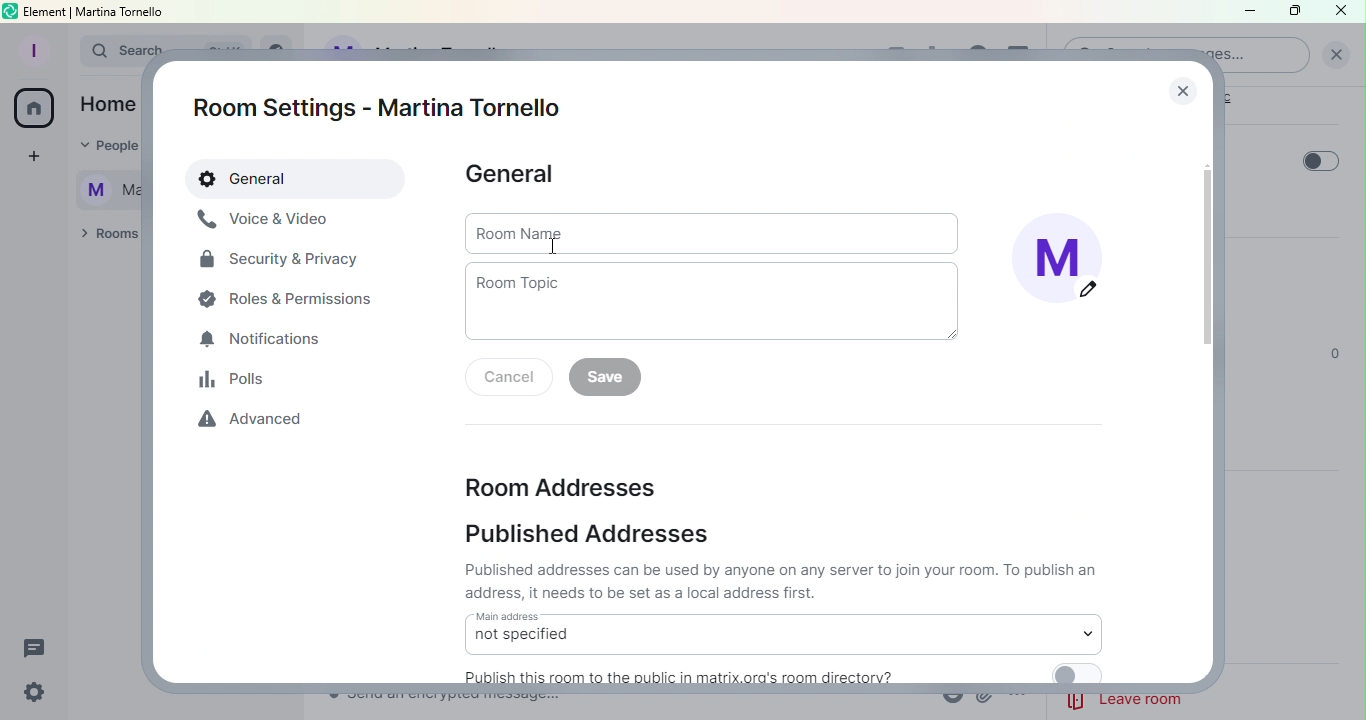  Describe the element at coordinates (298, 180) in the screenshot. I see `General` at that location.